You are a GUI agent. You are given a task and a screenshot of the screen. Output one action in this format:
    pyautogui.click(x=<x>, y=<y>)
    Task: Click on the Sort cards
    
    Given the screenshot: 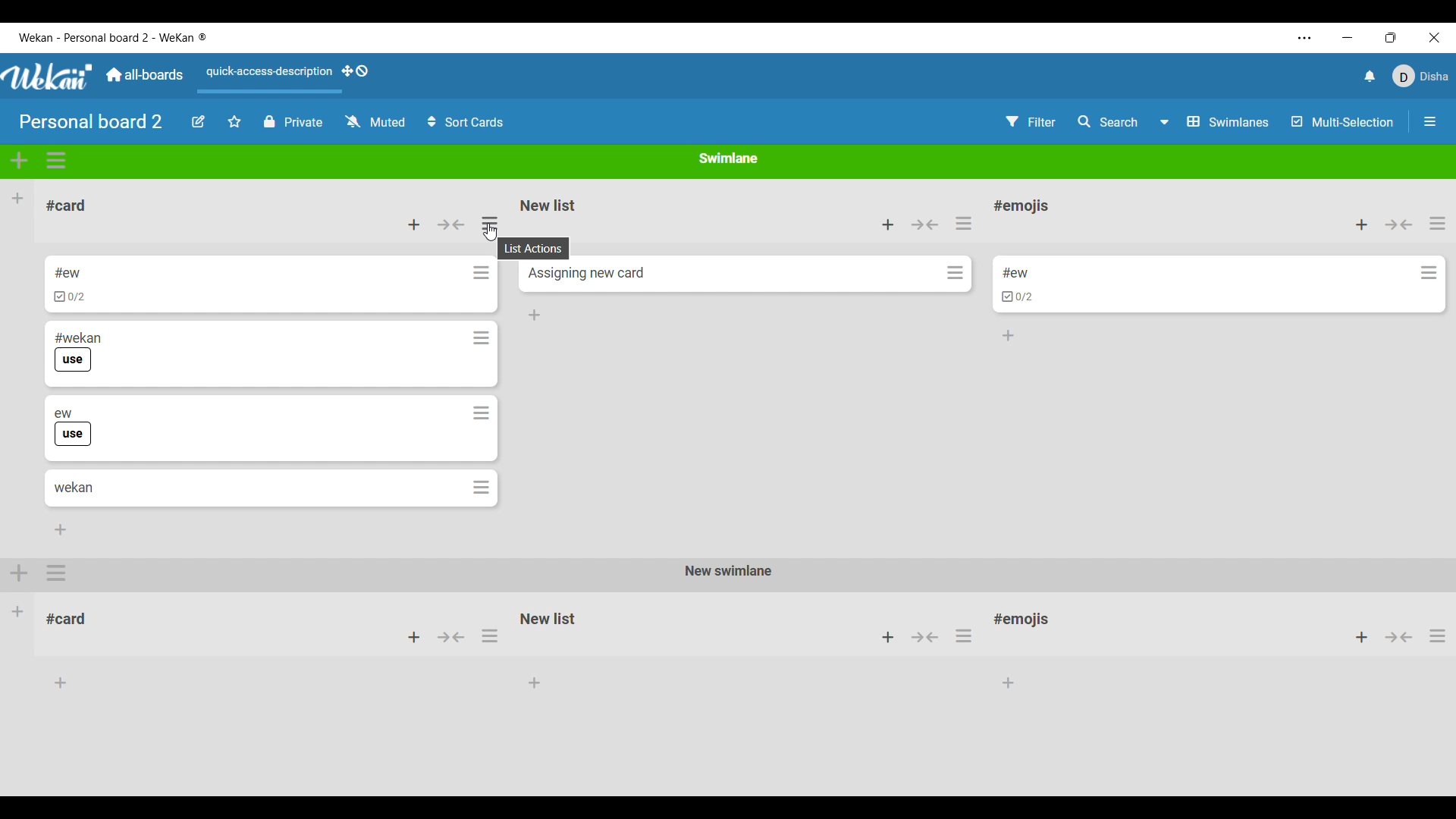 What is the action you would take?
    pyautogui.click(x=466, y=122)
    